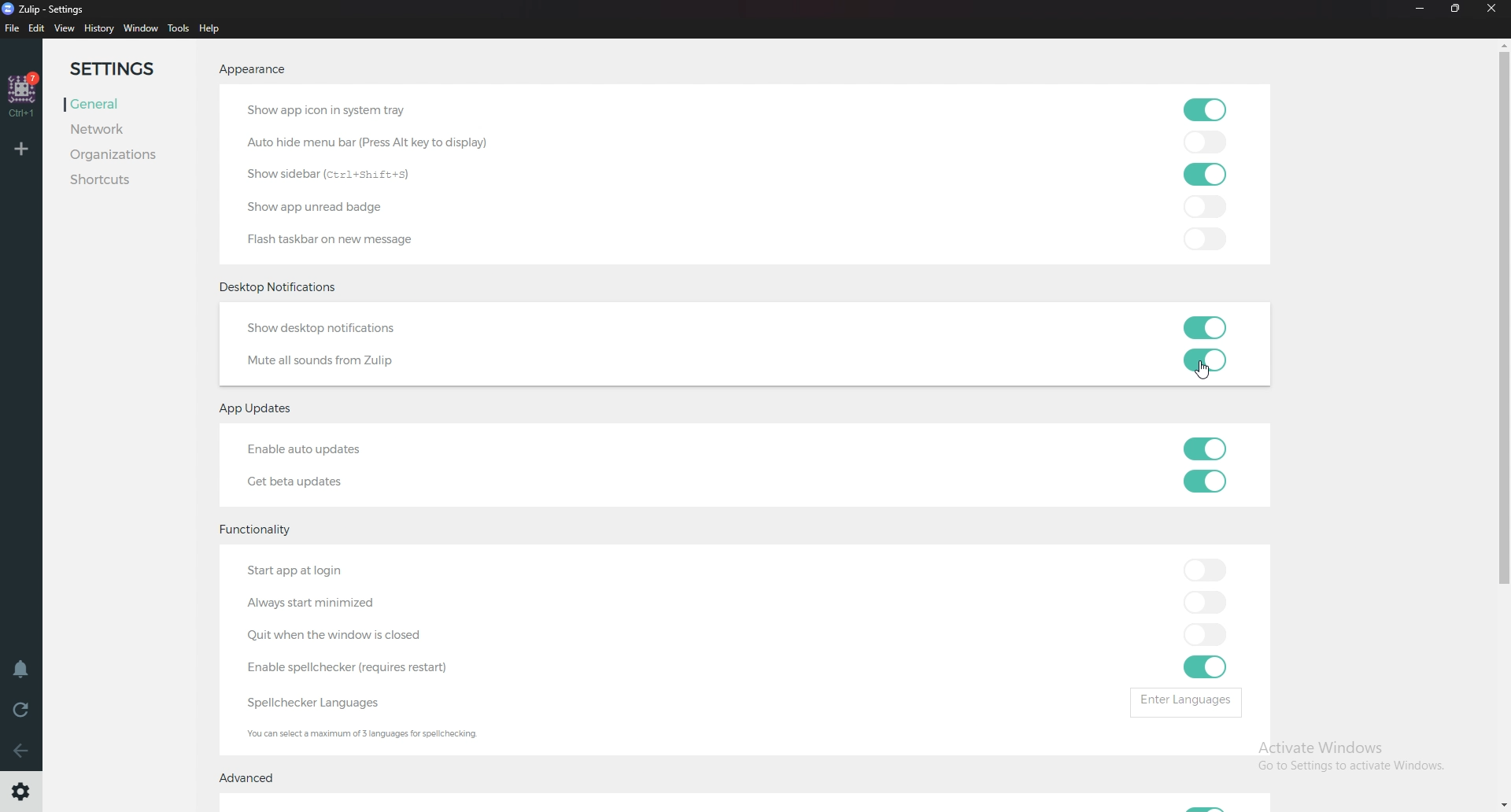 This screenshot has width=1511, height=812. What do you see at coordinates (299, 482) in the screenshot?
I see `Get beta updates` at bounding box center [299, 482].